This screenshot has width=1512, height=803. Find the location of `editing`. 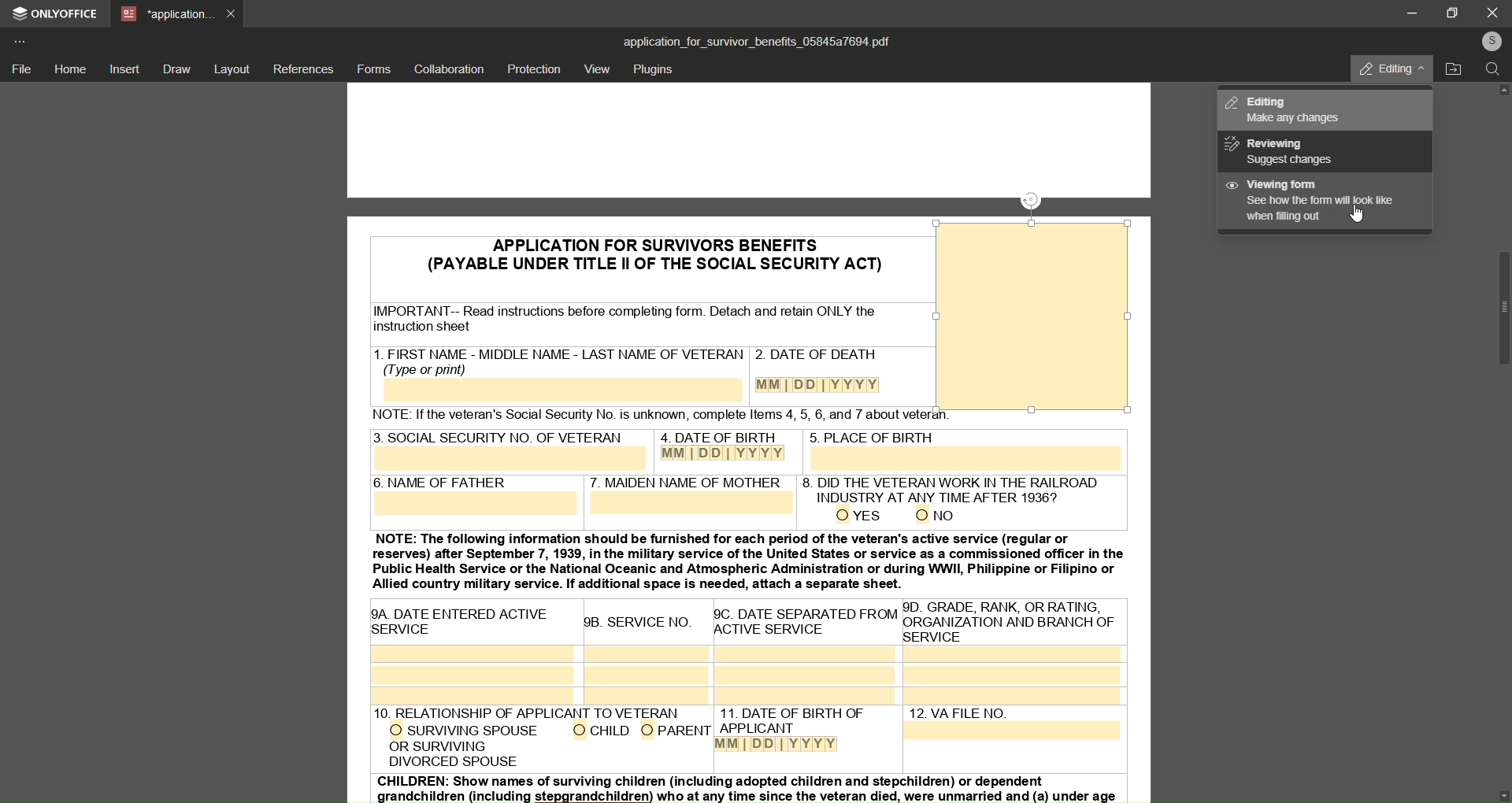

editing is located at coordinates (1294, 109).